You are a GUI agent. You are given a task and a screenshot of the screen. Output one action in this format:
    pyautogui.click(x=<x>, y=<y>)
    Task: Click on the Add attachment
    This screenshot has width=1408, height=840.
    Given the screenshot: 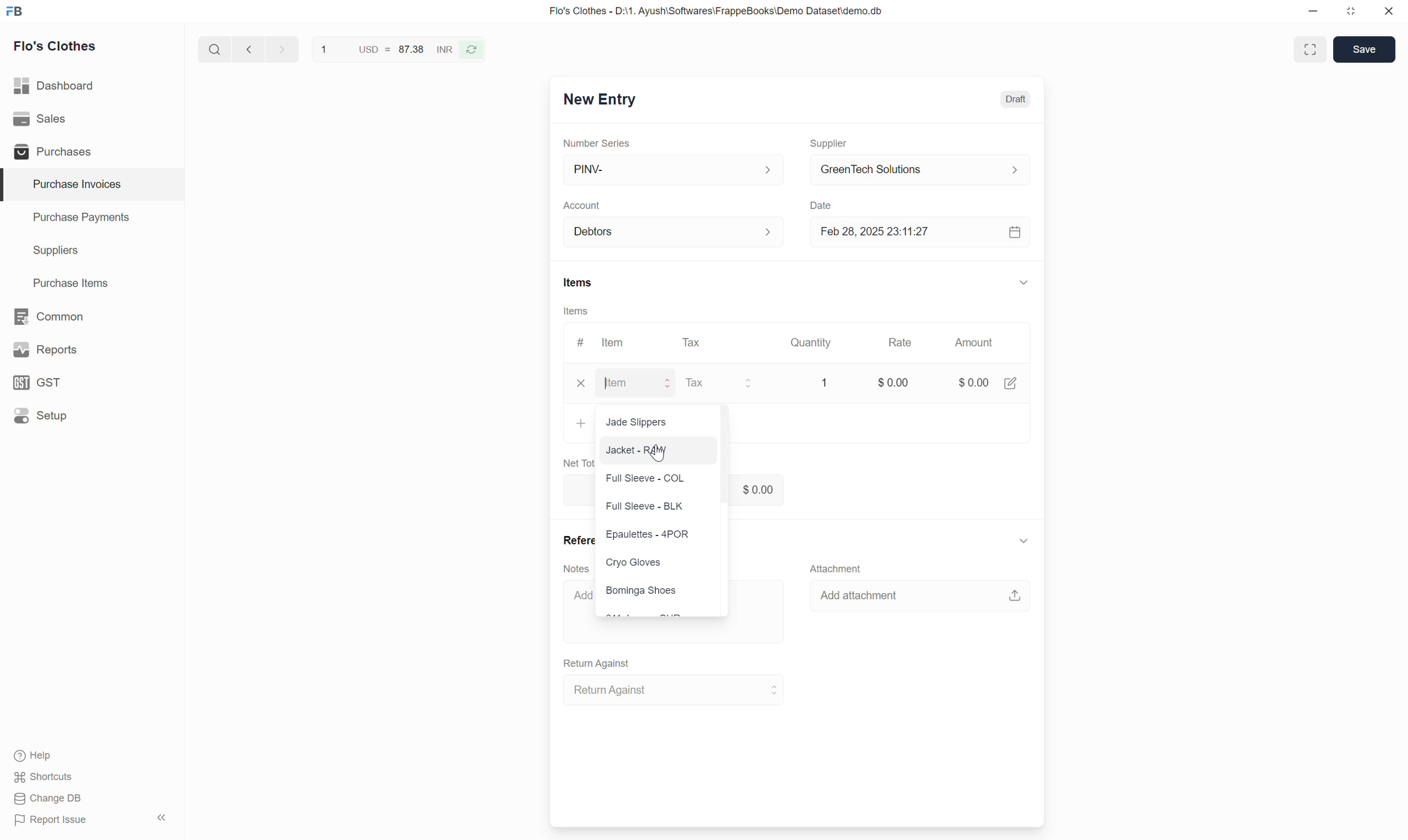 What is the action you would take?
    pyautogui.click(x=920, y=596)
    